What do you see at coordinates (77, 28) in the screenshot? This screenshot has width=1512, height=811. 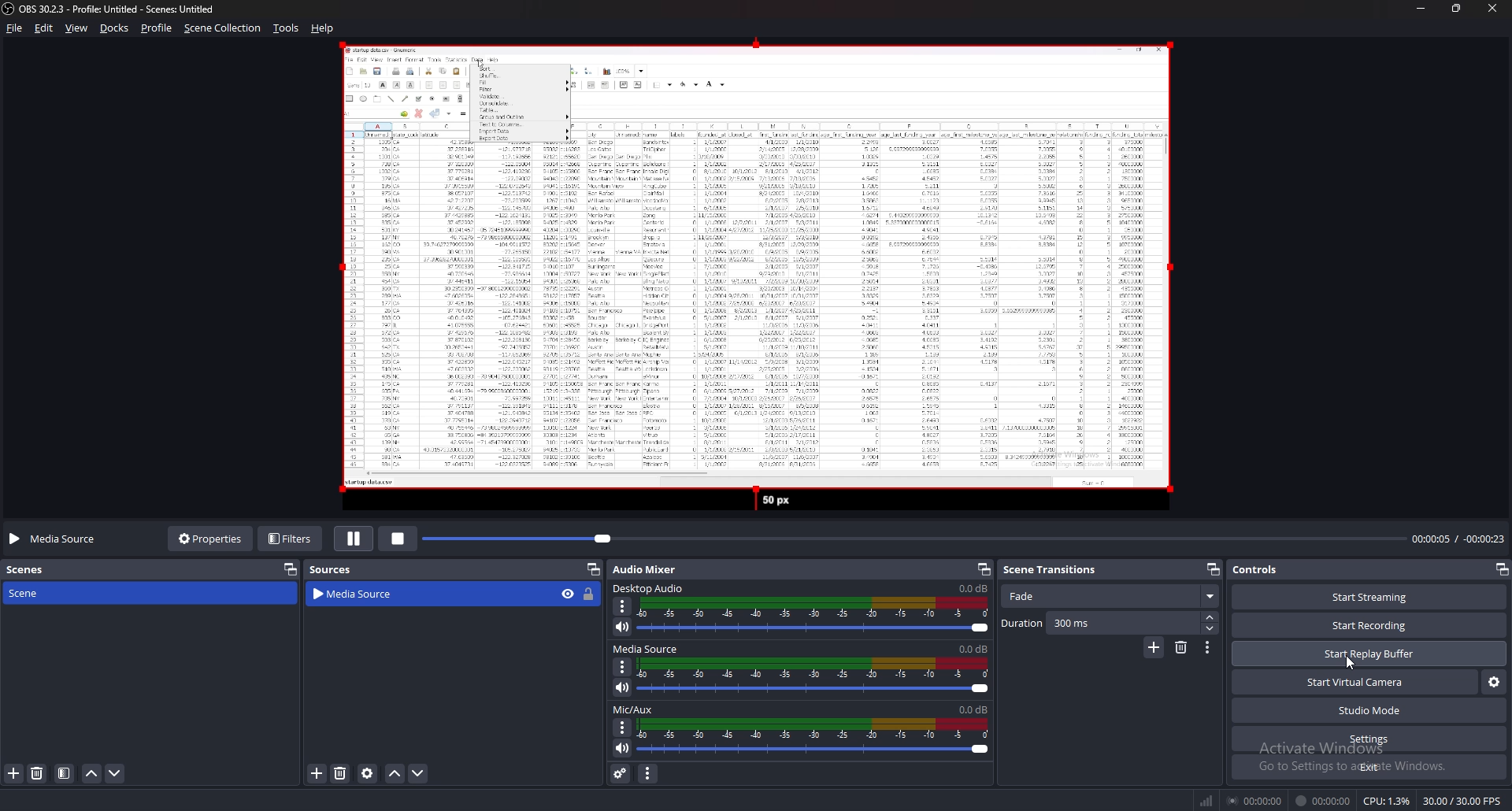 I see `view` at bounding box center [77, 28].